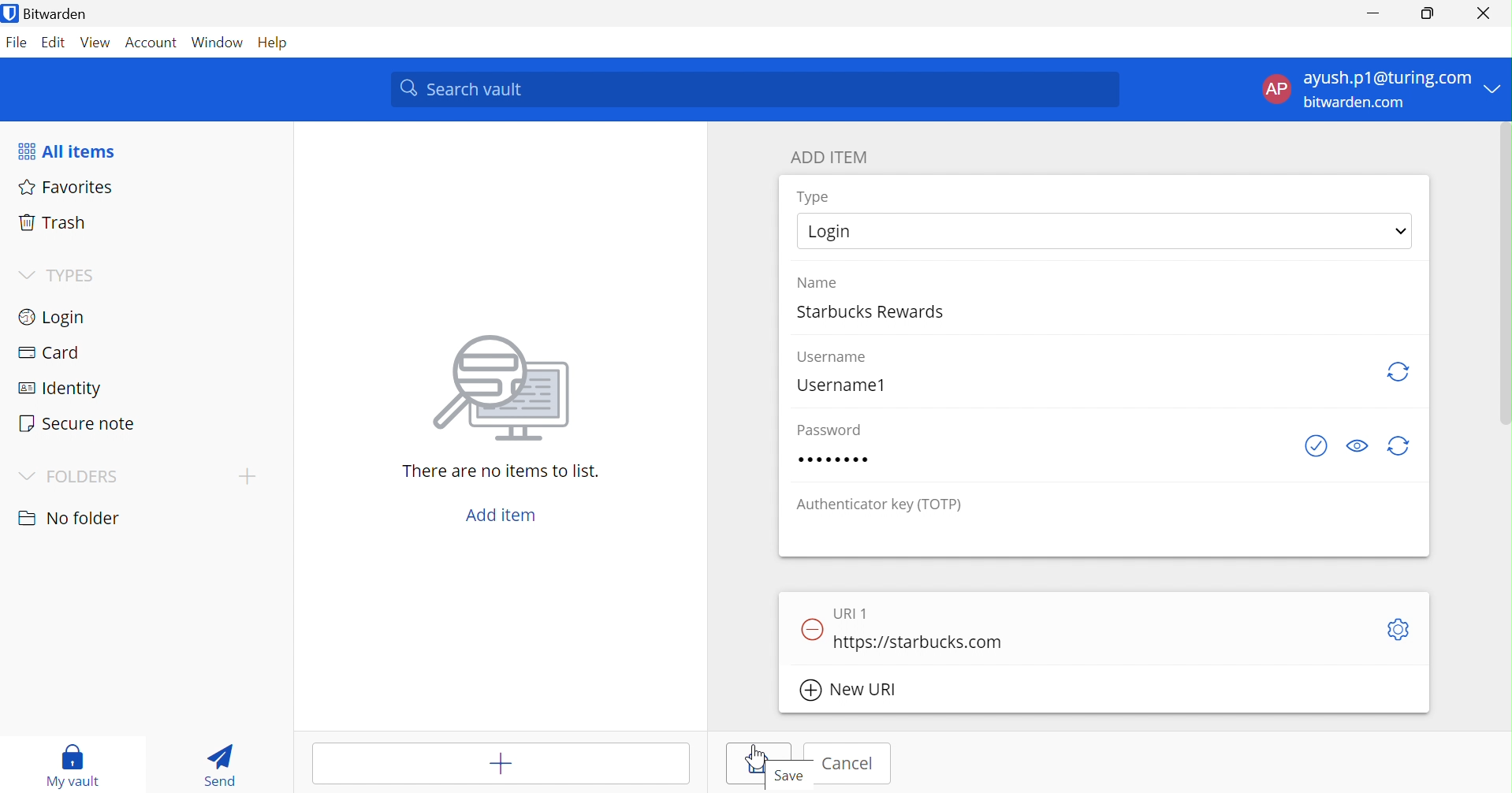 Image resolution: width=1512 pixels, height=793 pixels. Describe the element at coordinates (502, 472) in the screenshot. I see `There are no items to list.` at that location.